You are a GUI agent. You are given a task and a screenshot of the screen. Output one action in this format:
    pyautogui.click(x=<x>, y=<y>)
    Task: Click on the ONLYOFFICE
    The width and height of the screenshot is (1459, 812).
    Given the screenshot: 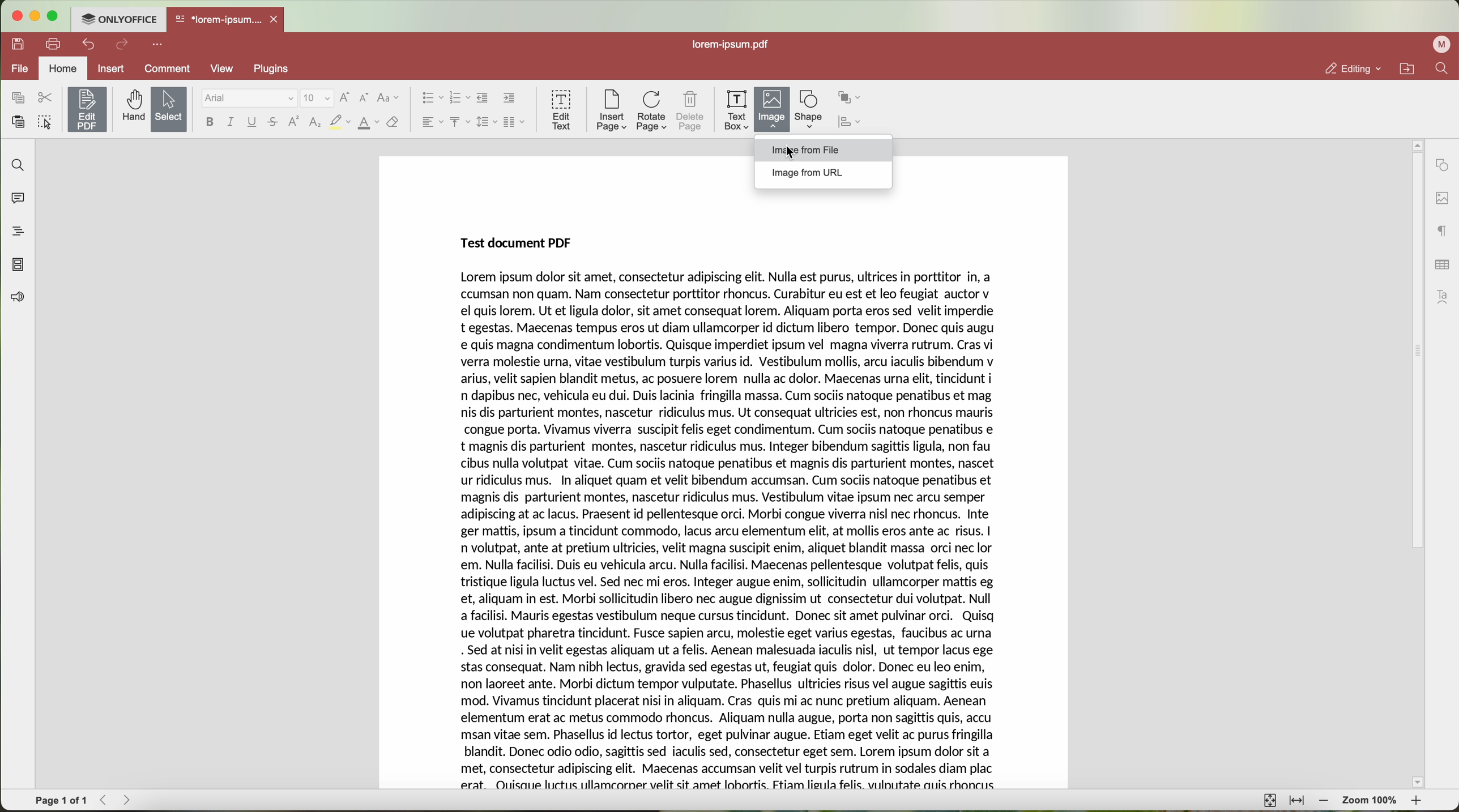 What is the action you would take?
    pyautogui.click(x=118, y=18)
    